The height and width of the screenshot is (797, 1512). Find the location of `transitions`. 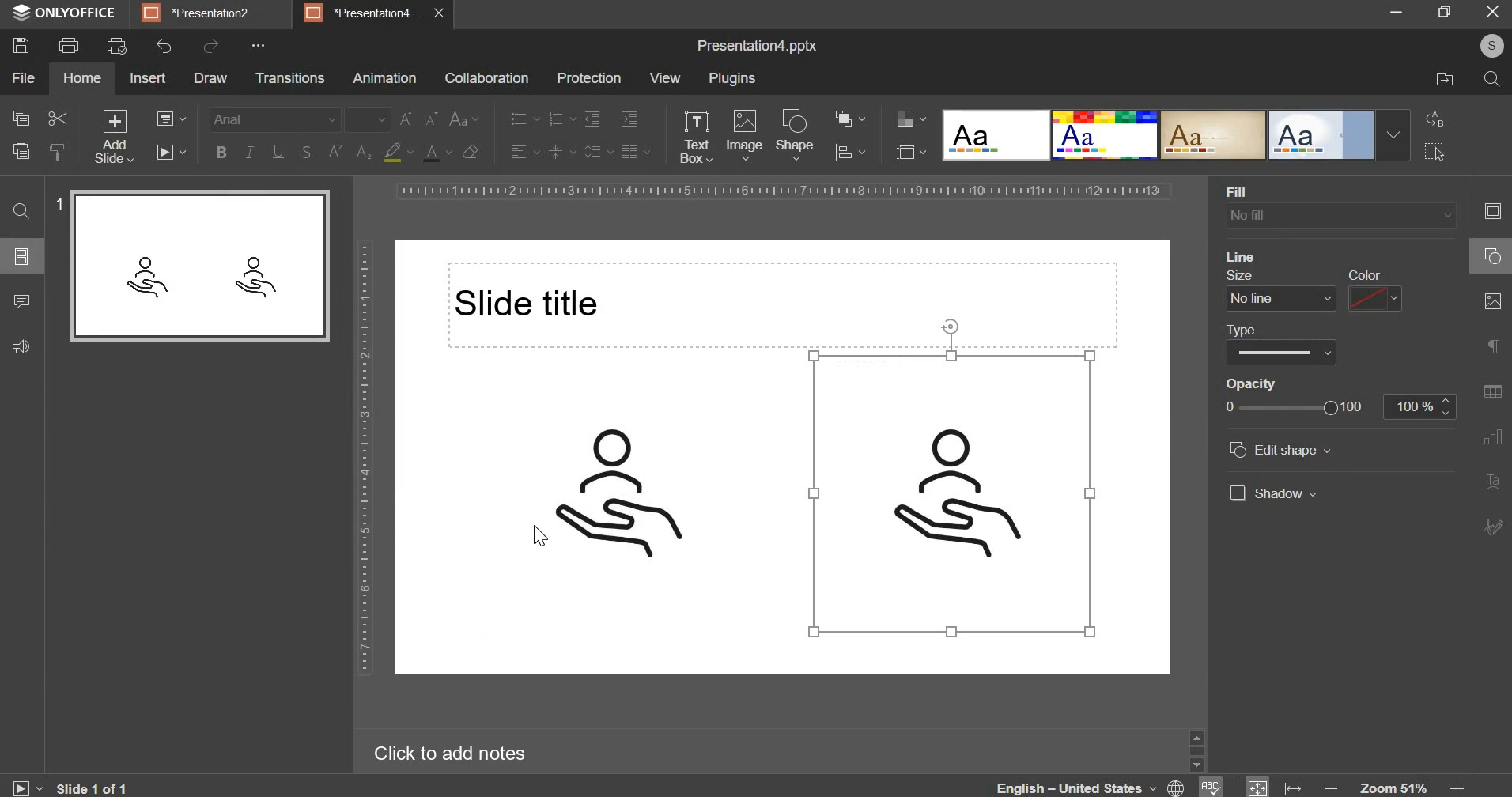

transitions is located at coordinates (291, 78).